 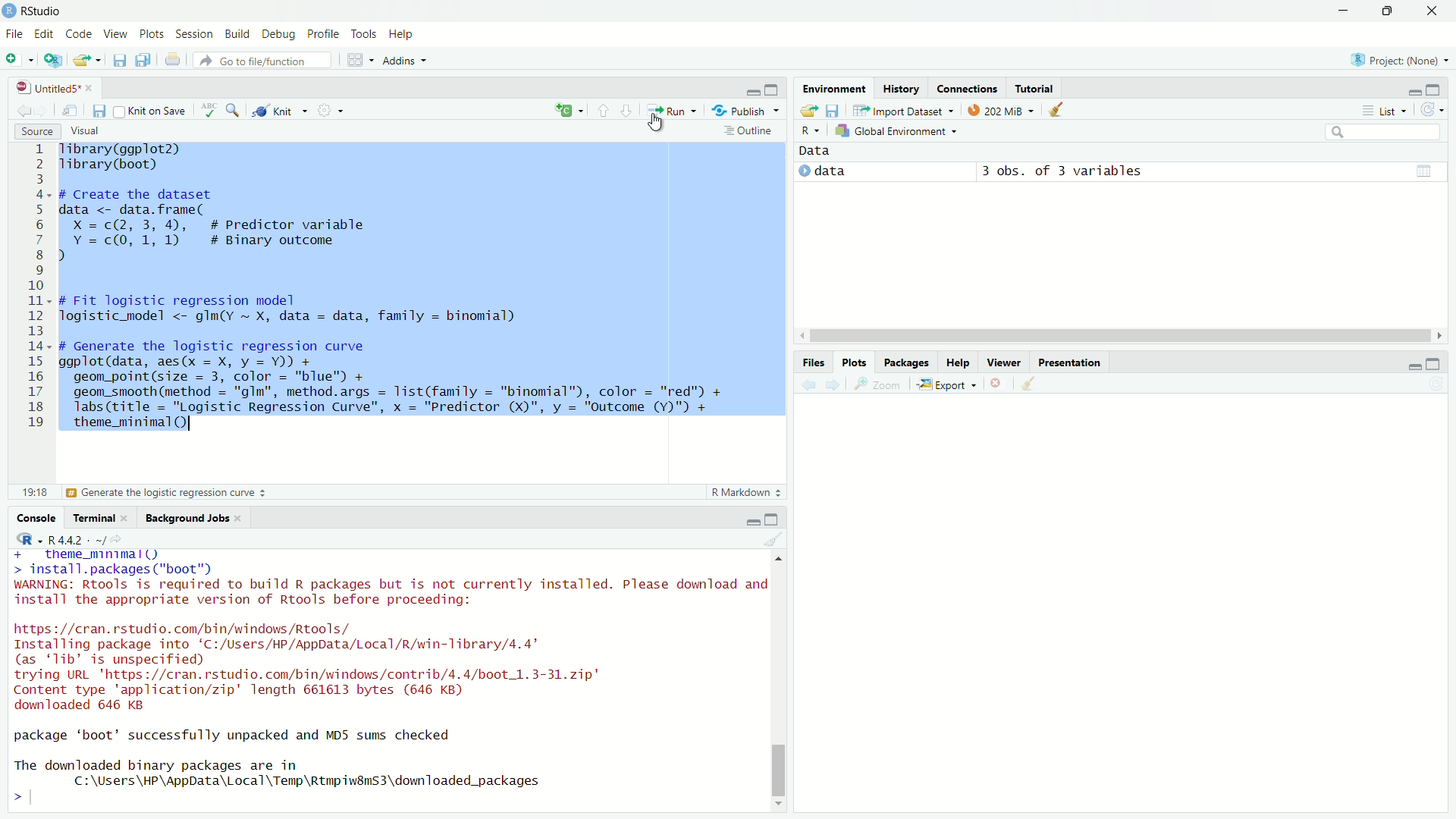 I want to click on close, so click(x=124, y=518).